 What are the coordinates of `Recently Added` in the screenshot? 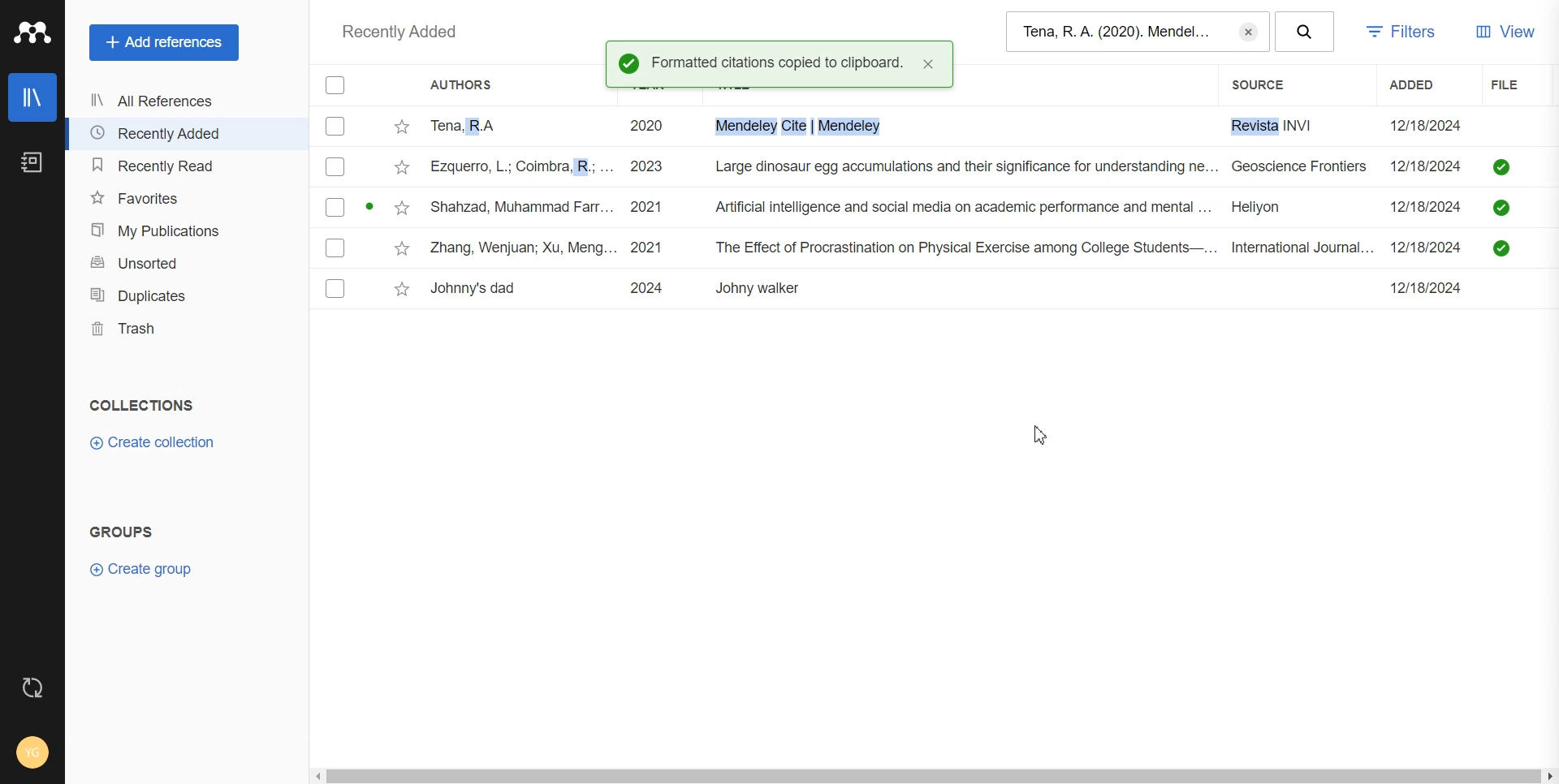 It's located at (183, 133).